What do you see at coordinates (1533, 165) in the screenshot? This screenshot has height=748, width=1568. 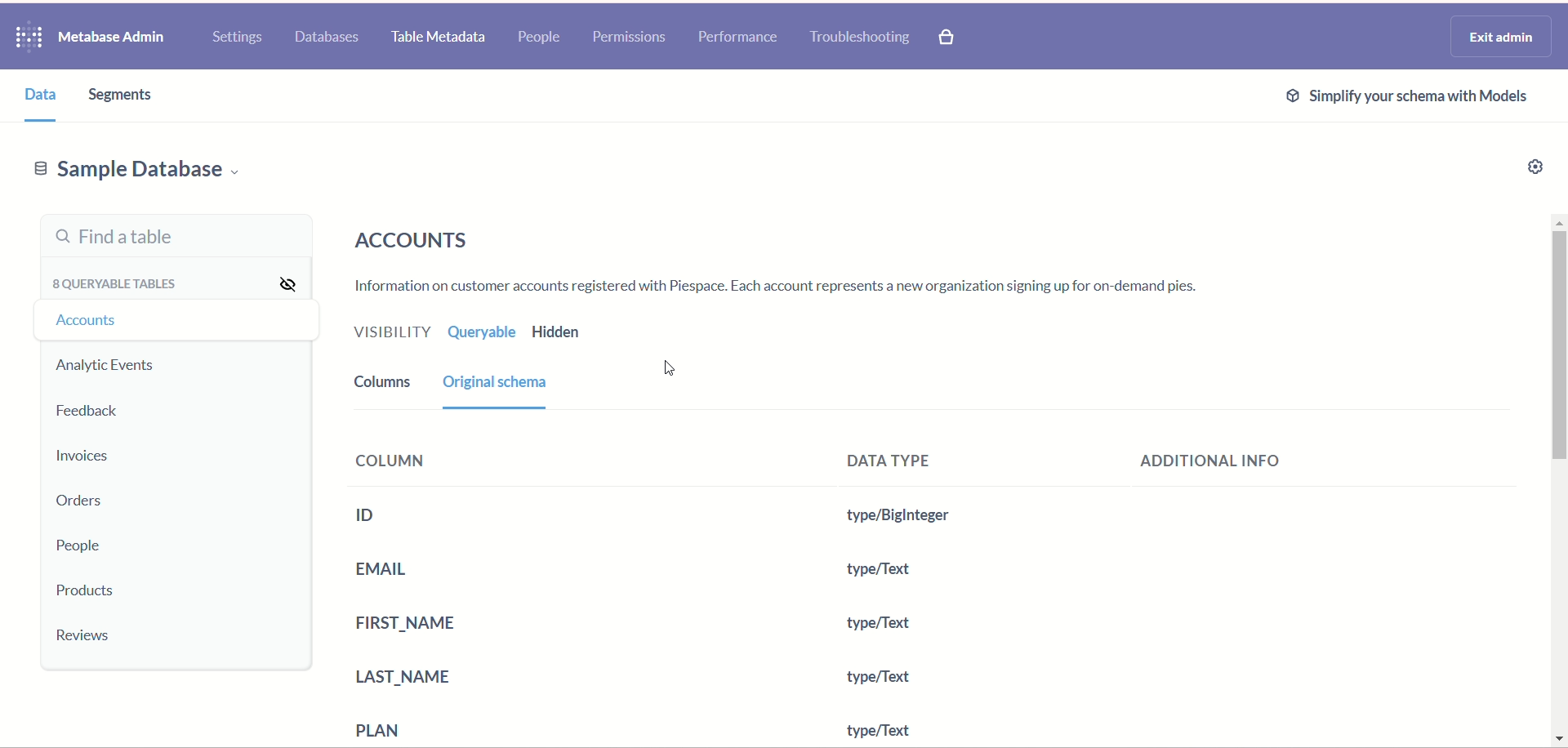 I see `settings` at bounding box center [1533, 165].